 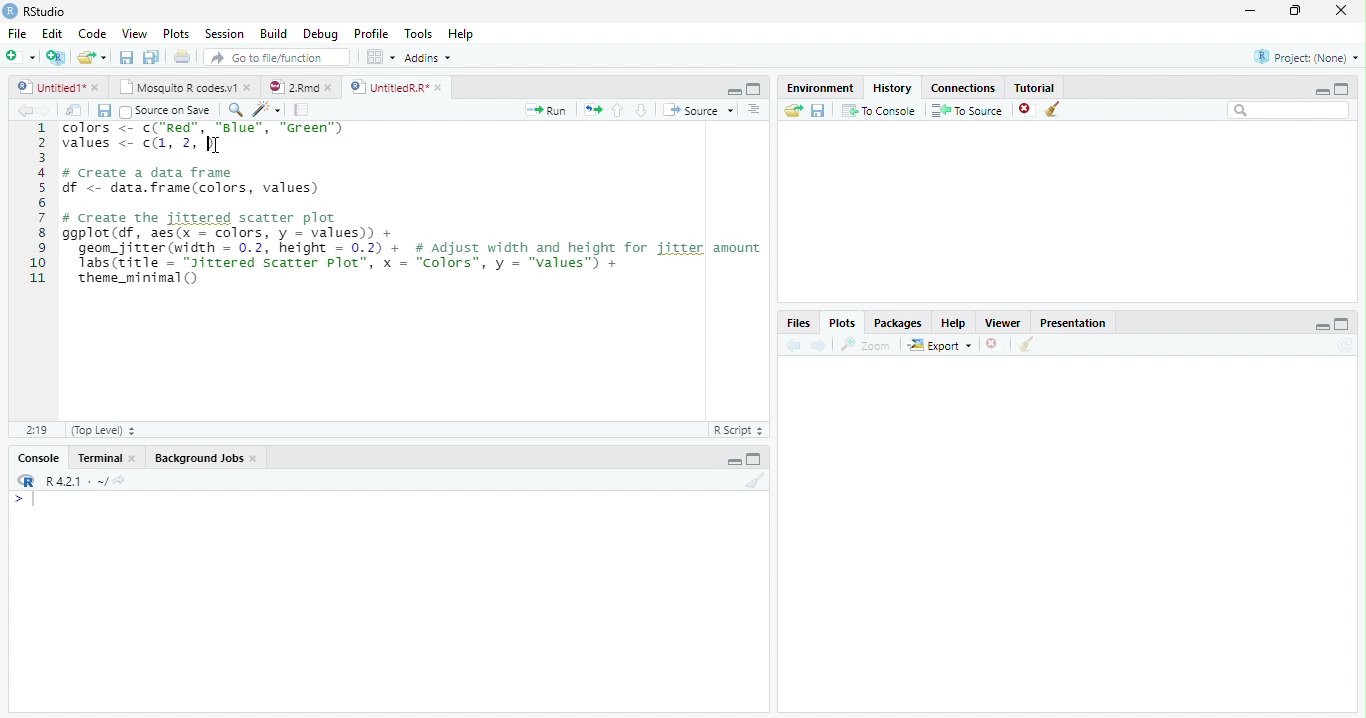 What do you see at coordinates (52, 34) in the screenshot?
I see `Edit` at bounding box center [52, 34].